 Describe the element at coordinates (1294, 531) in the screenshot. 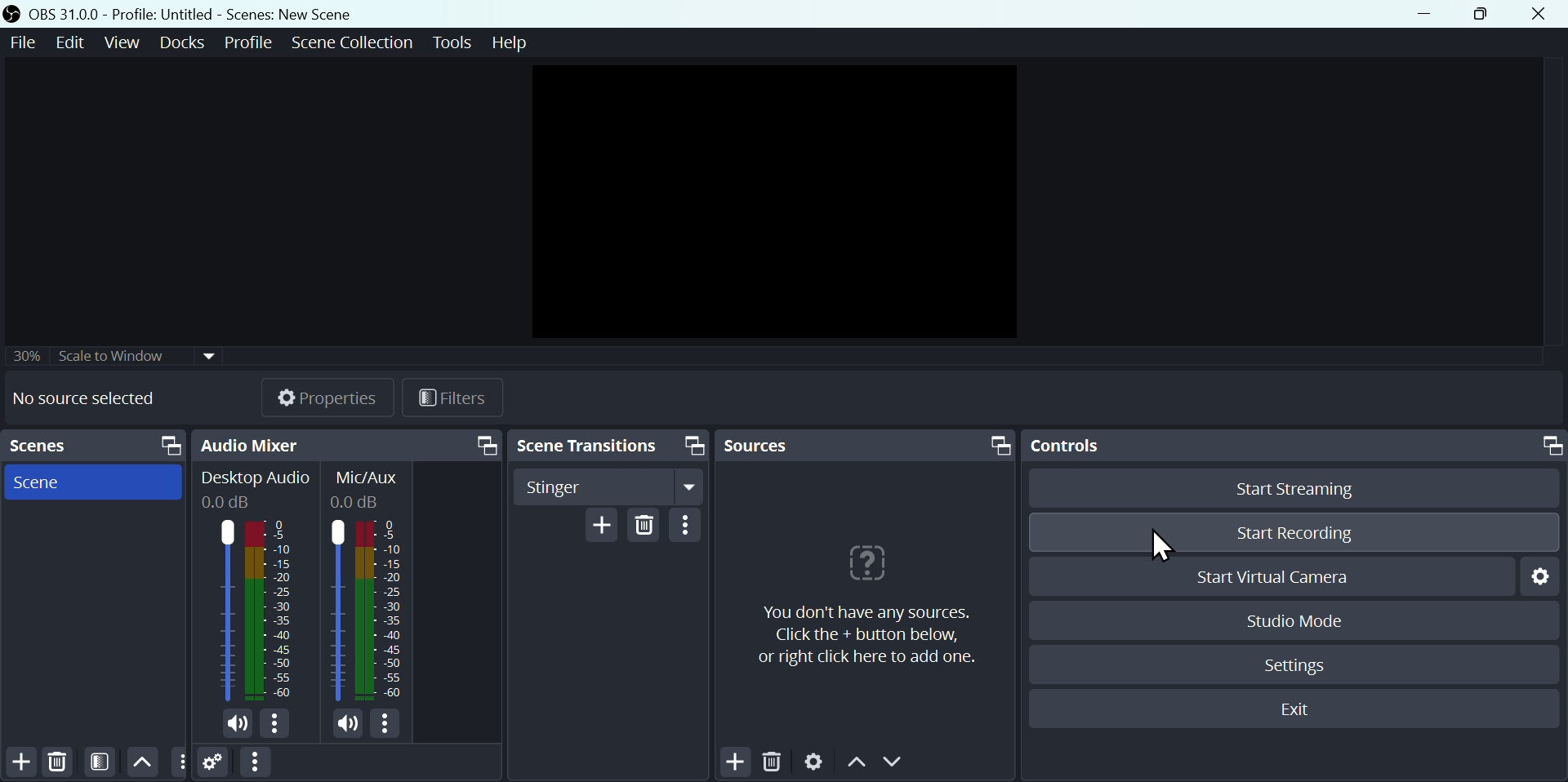

I see `Start recording` at that location.